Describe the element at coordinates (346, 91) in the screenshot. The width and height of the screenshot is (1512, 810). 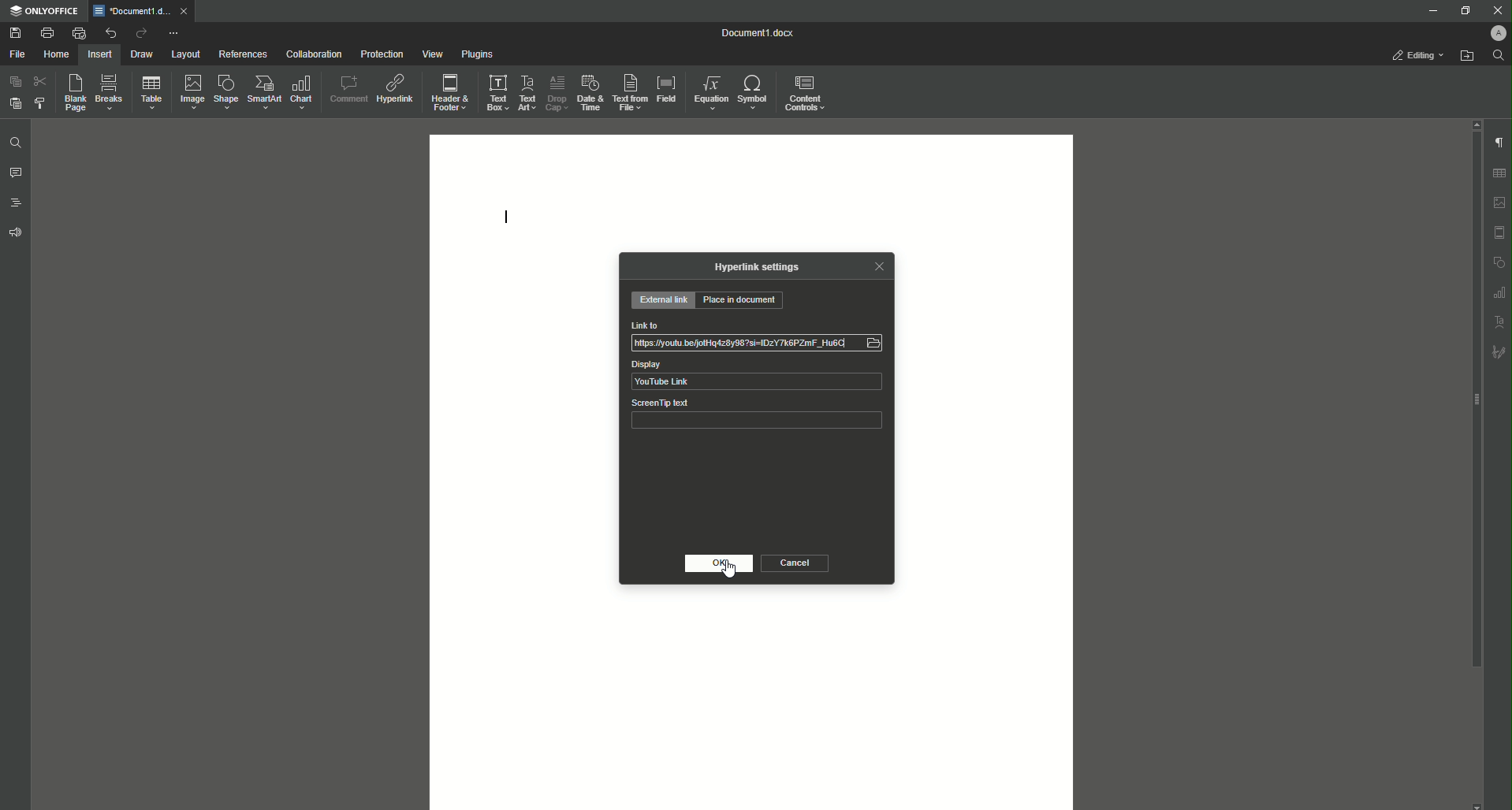
I see `Comment` at that location.